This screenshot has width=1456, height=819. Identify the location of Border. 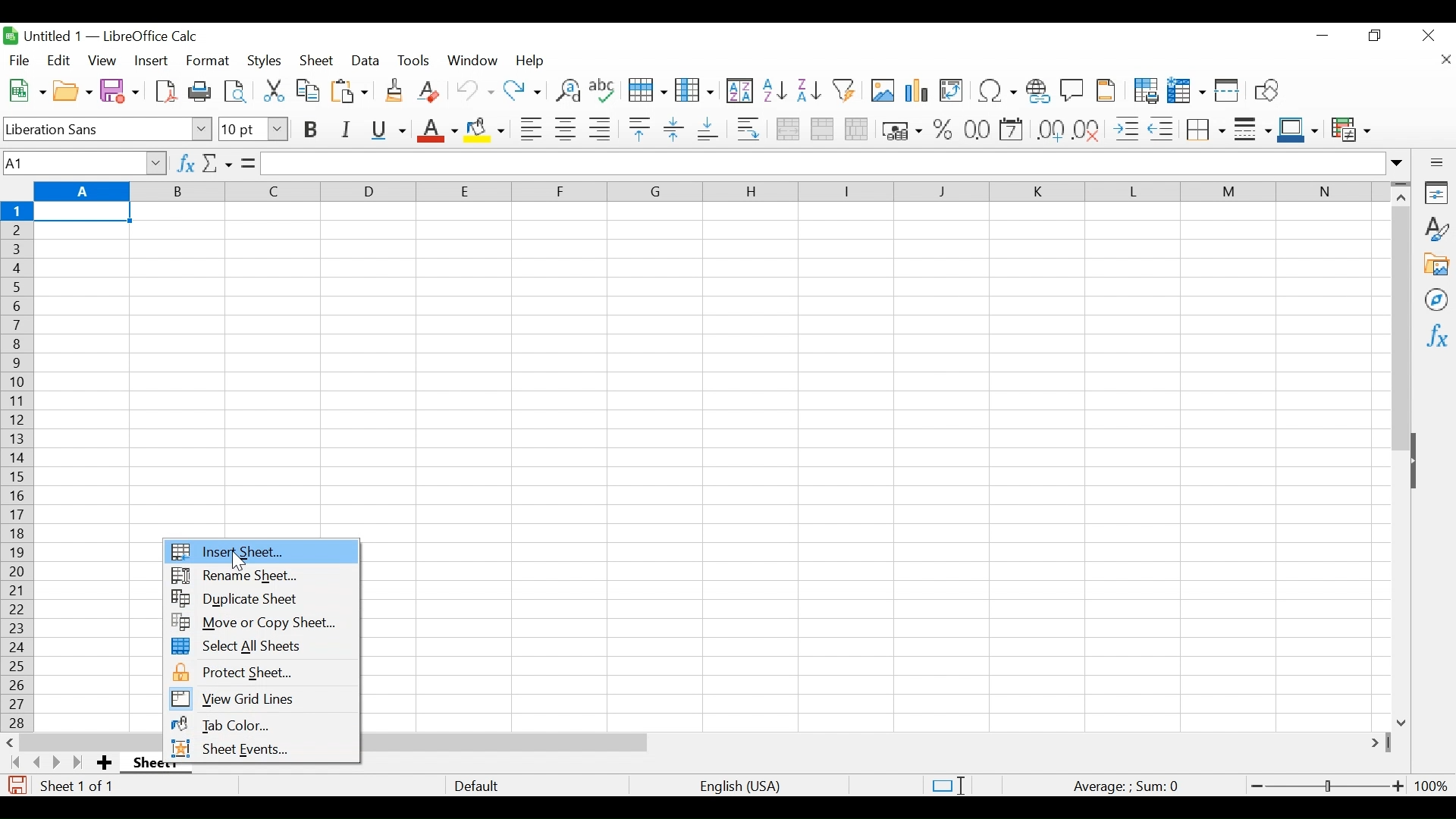
(1205, 129).